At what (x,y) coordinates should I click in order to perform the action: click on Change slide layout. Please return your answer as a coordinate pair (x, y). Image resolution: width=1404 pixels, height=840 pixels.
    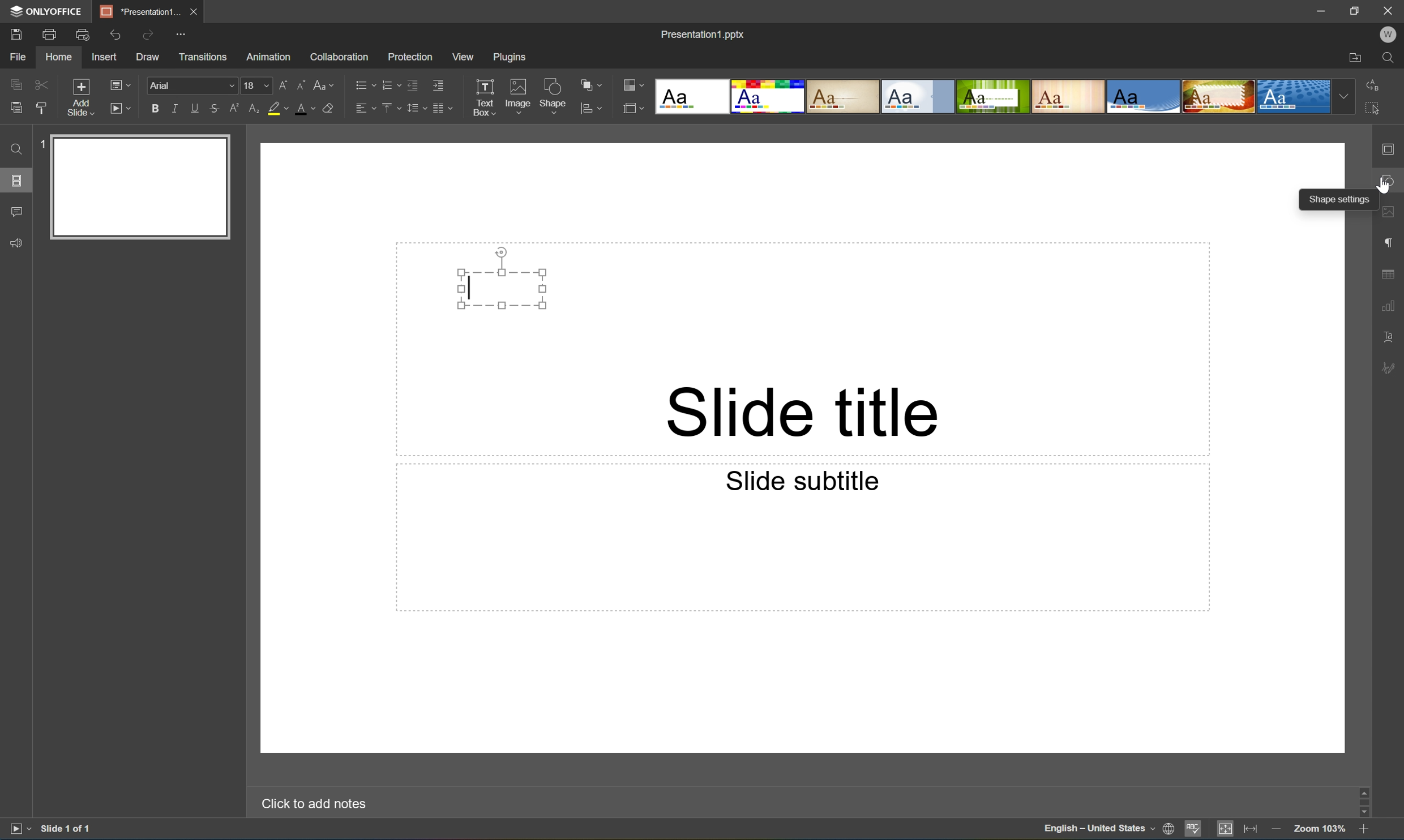
    Looking at the image, I should click on (118, 83).